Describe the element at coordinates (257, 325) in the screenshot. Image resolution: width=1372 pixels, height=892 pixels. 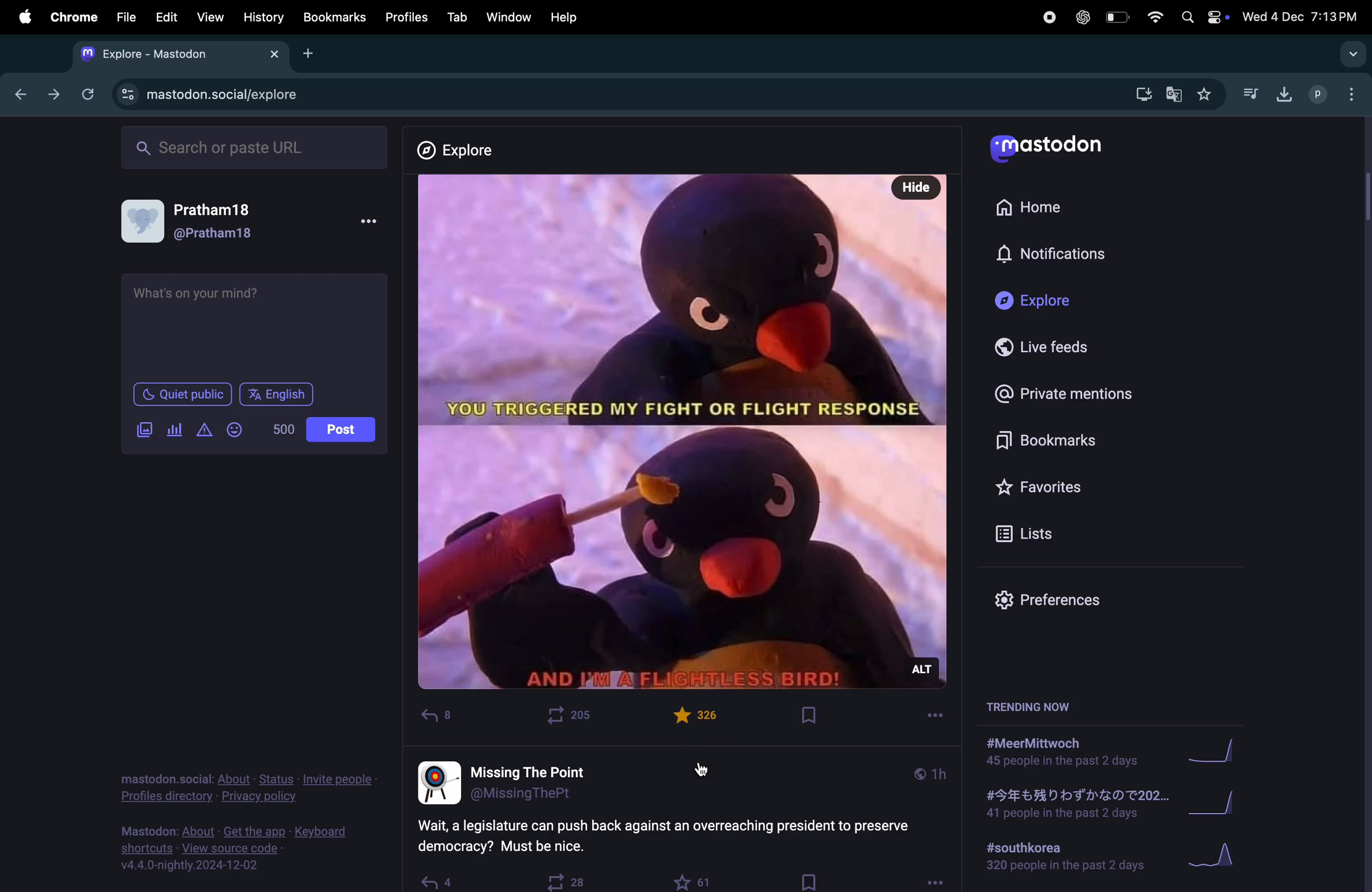
I see `text box` at that location.